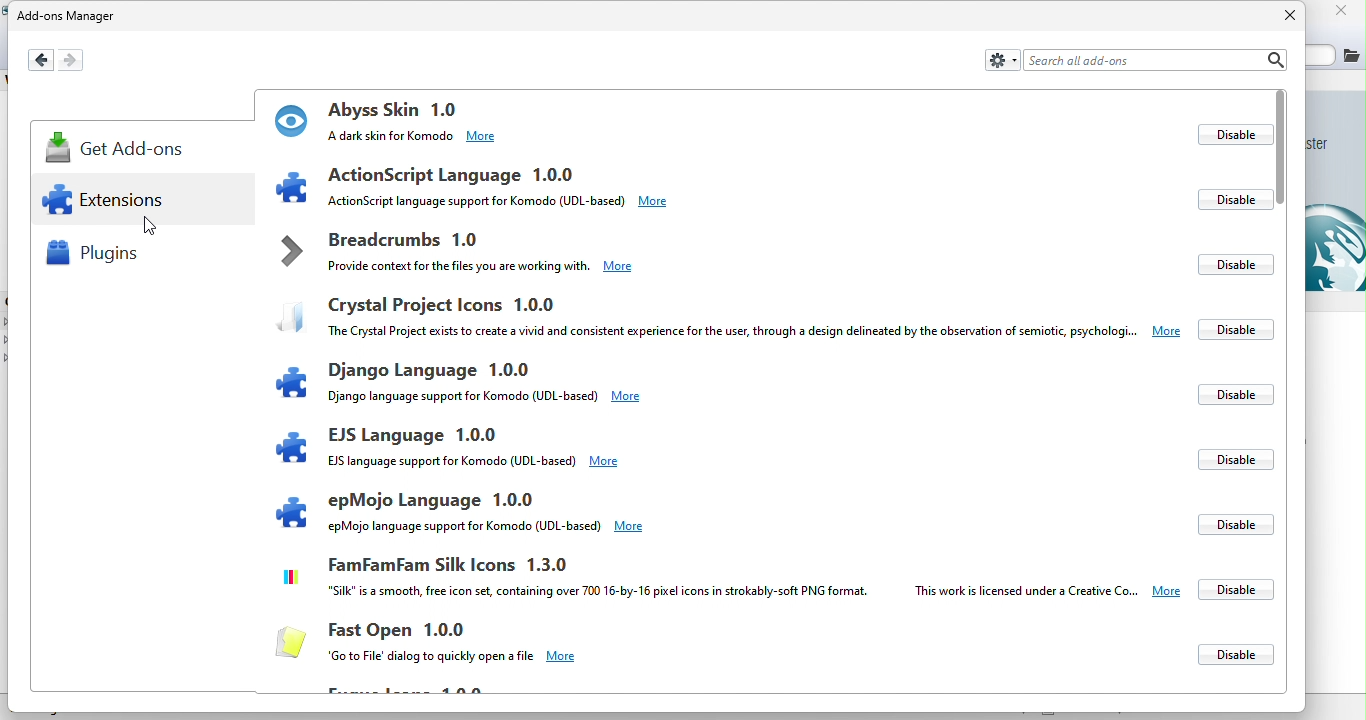  Describe the element at coordinates (1281, 148) in the screenshot. I see `vertical scroll bar` at that location.